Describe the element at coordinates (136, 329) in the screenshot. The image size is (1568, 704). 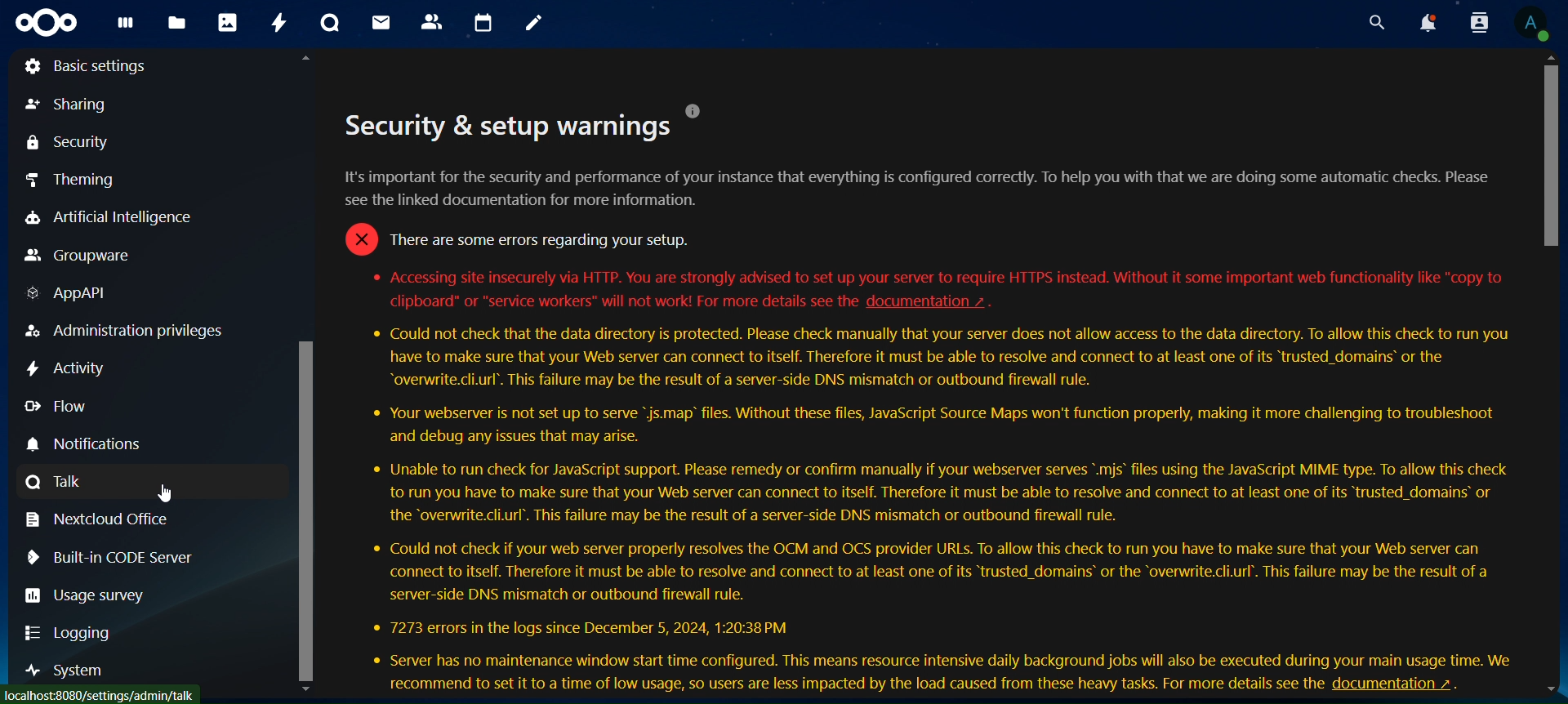
I see `Admistration privileges` at that location.